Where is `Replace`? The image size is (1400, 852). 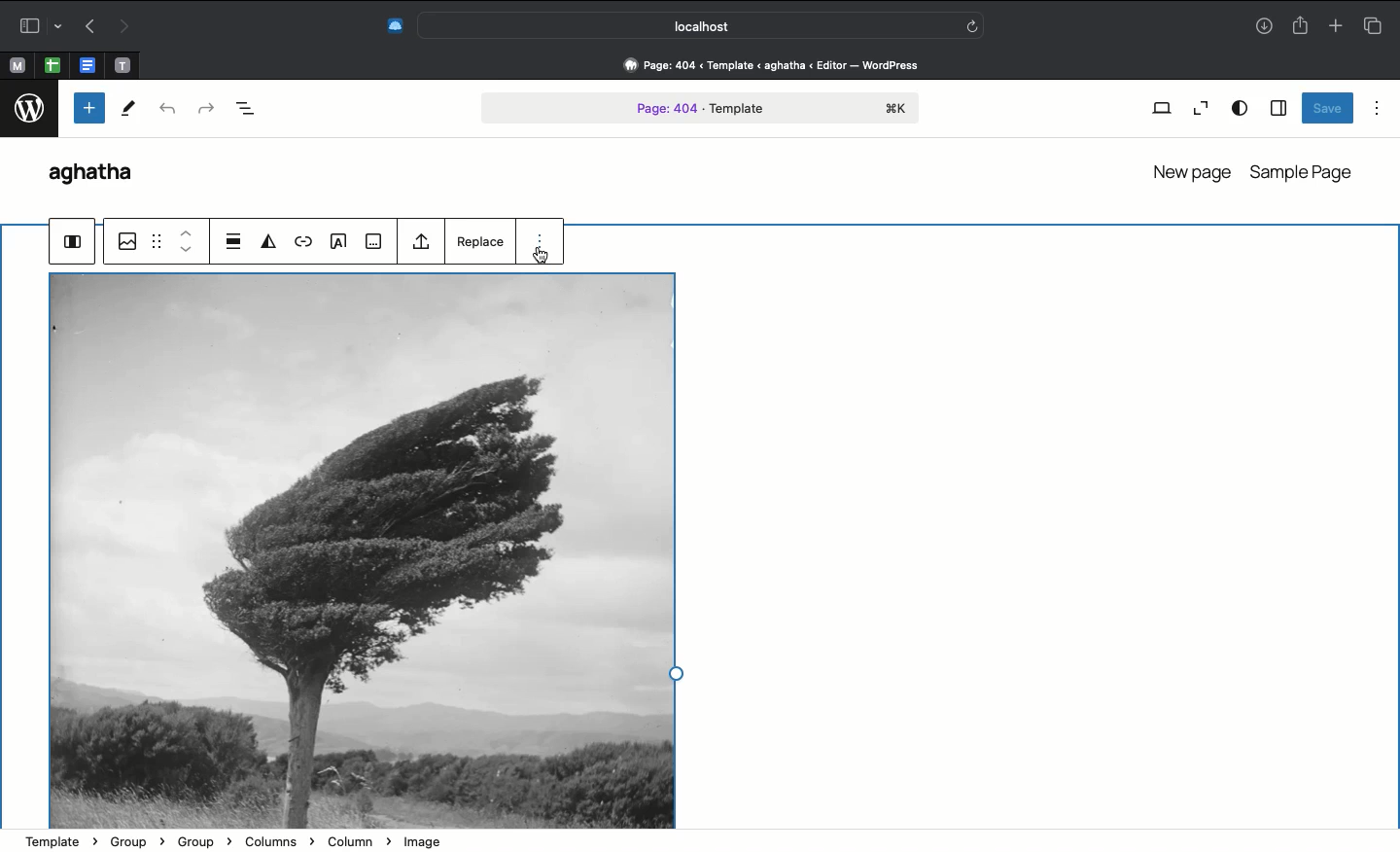
Replace is located at coordinates (477, 241).